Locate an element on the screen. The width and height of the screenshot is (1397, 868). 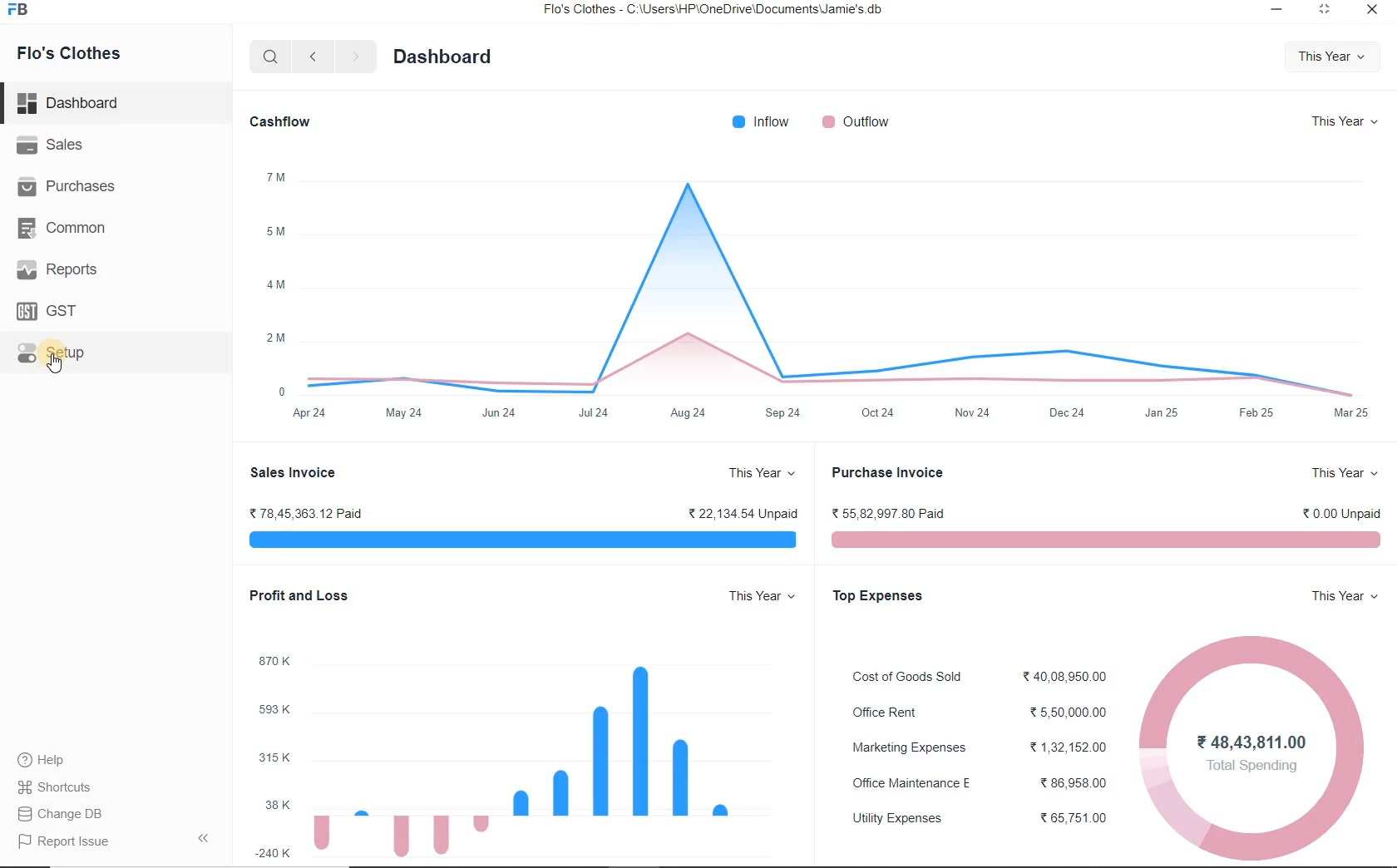
Previous is located at coordinates (310, 56).